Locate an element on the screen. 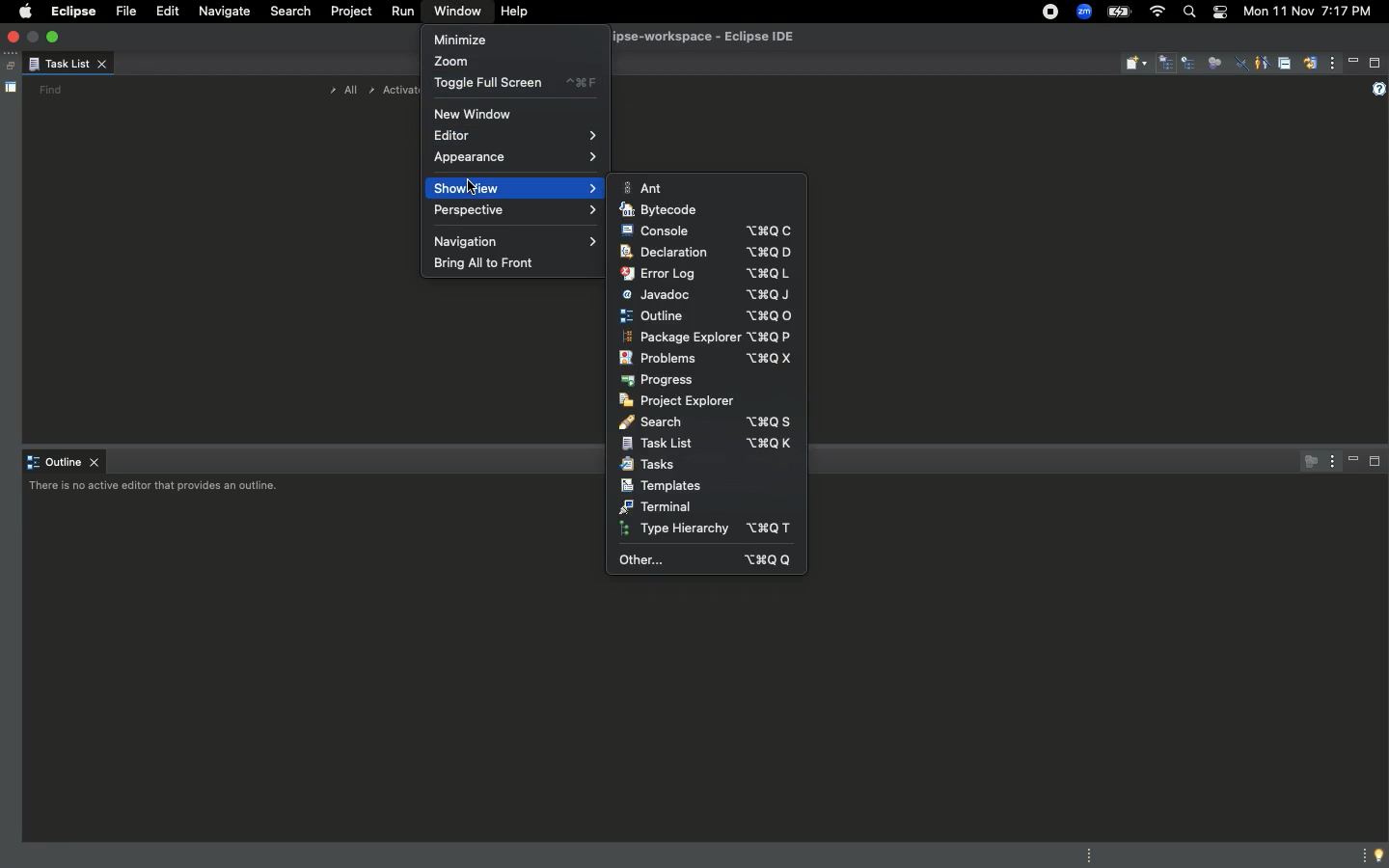 Image resolution: width=1389 pixels, height=868 pixels. close is located at coordinates (15, 38).